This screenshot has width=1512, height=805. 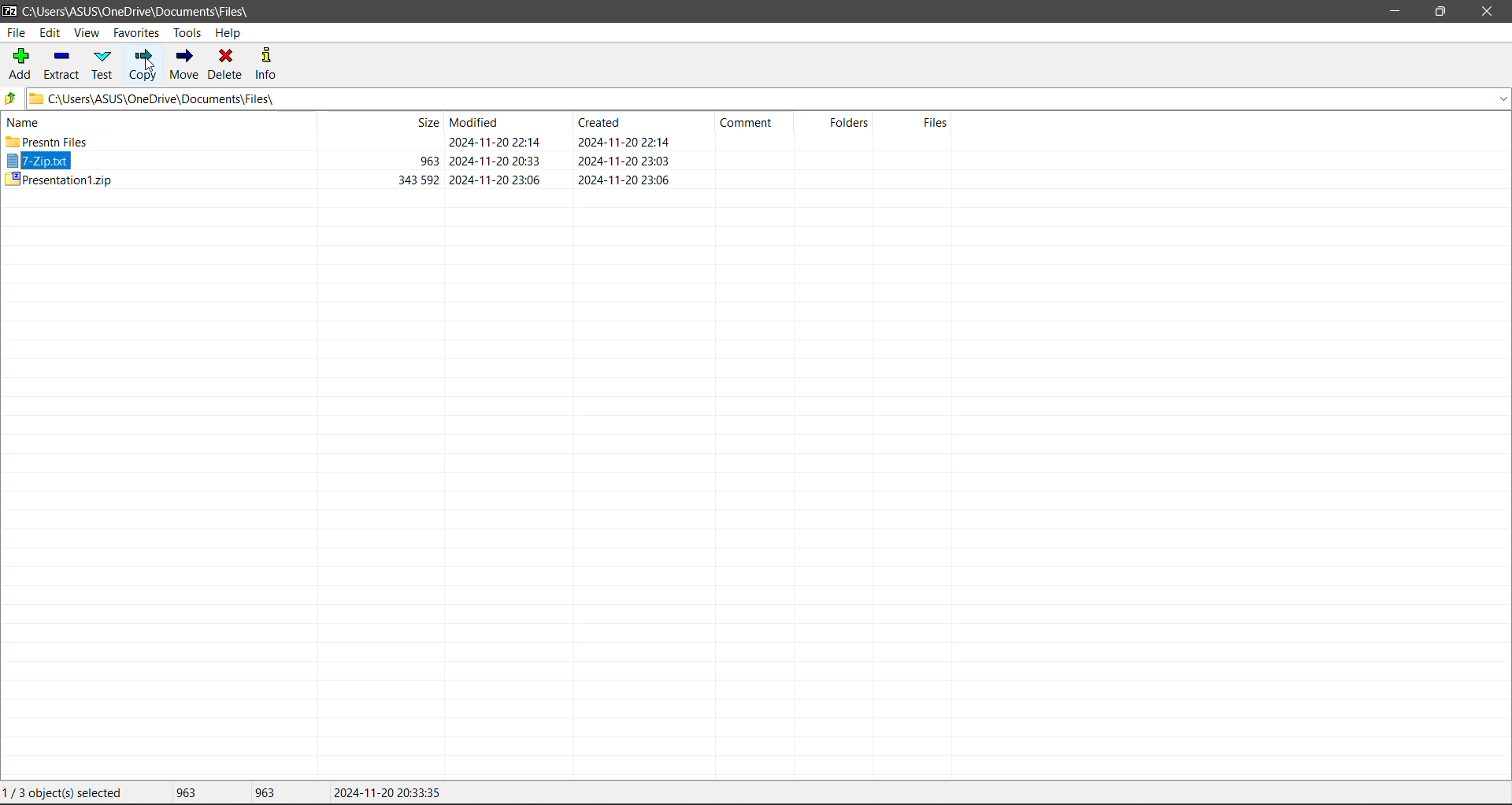 I want to click on File, so click(x=15, y=32).